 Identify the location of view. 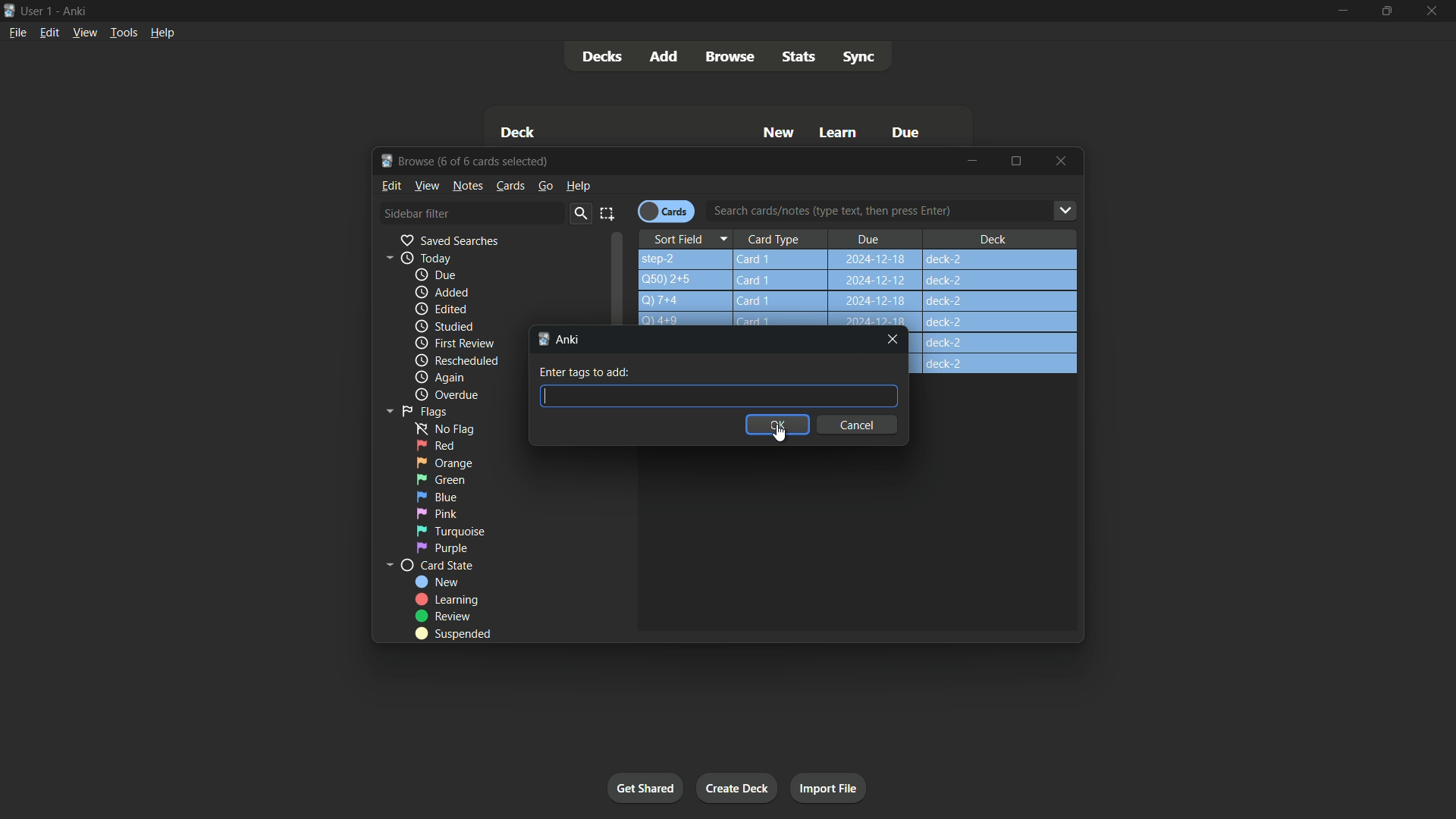
(428, 185).